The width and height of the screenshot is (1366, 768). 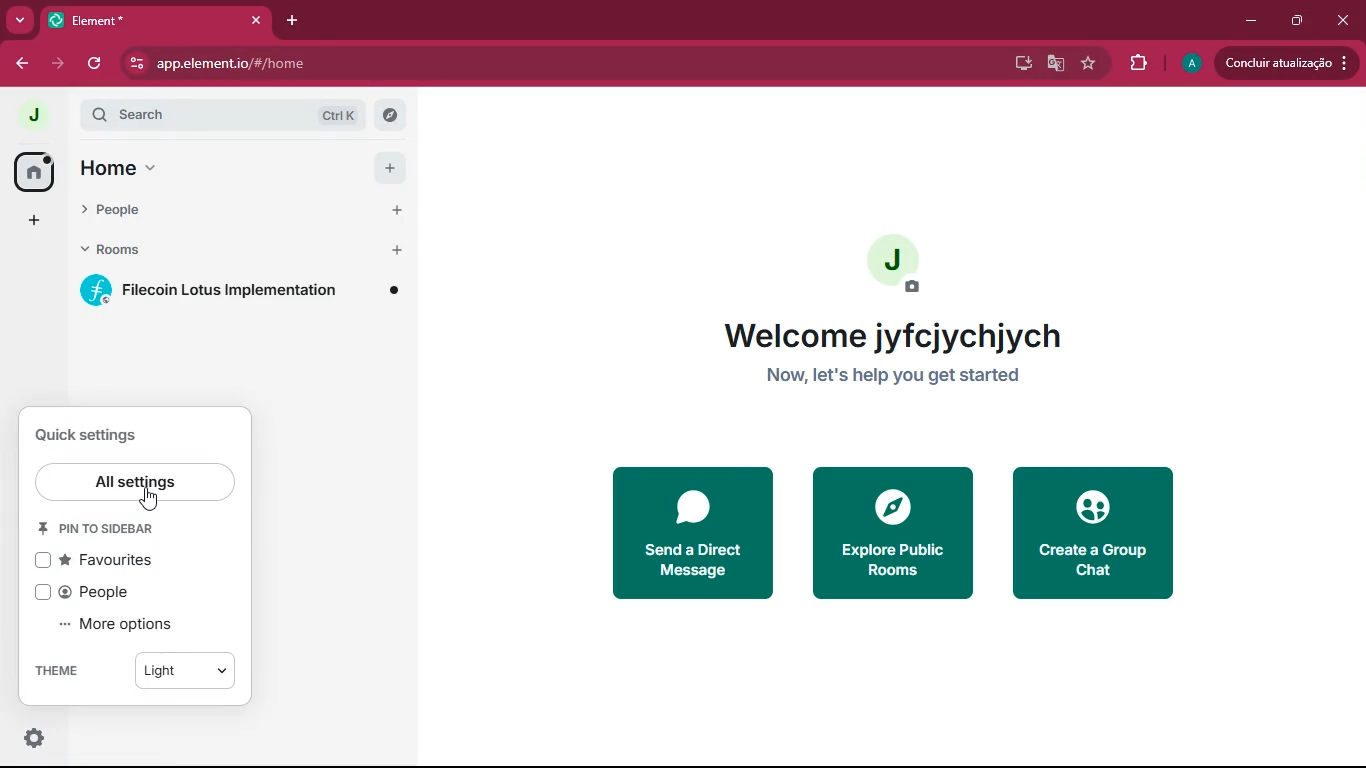 What do you see at coordinates (124, 625) in the screenshot?
I see `more options` at bounding box center [124, 625].